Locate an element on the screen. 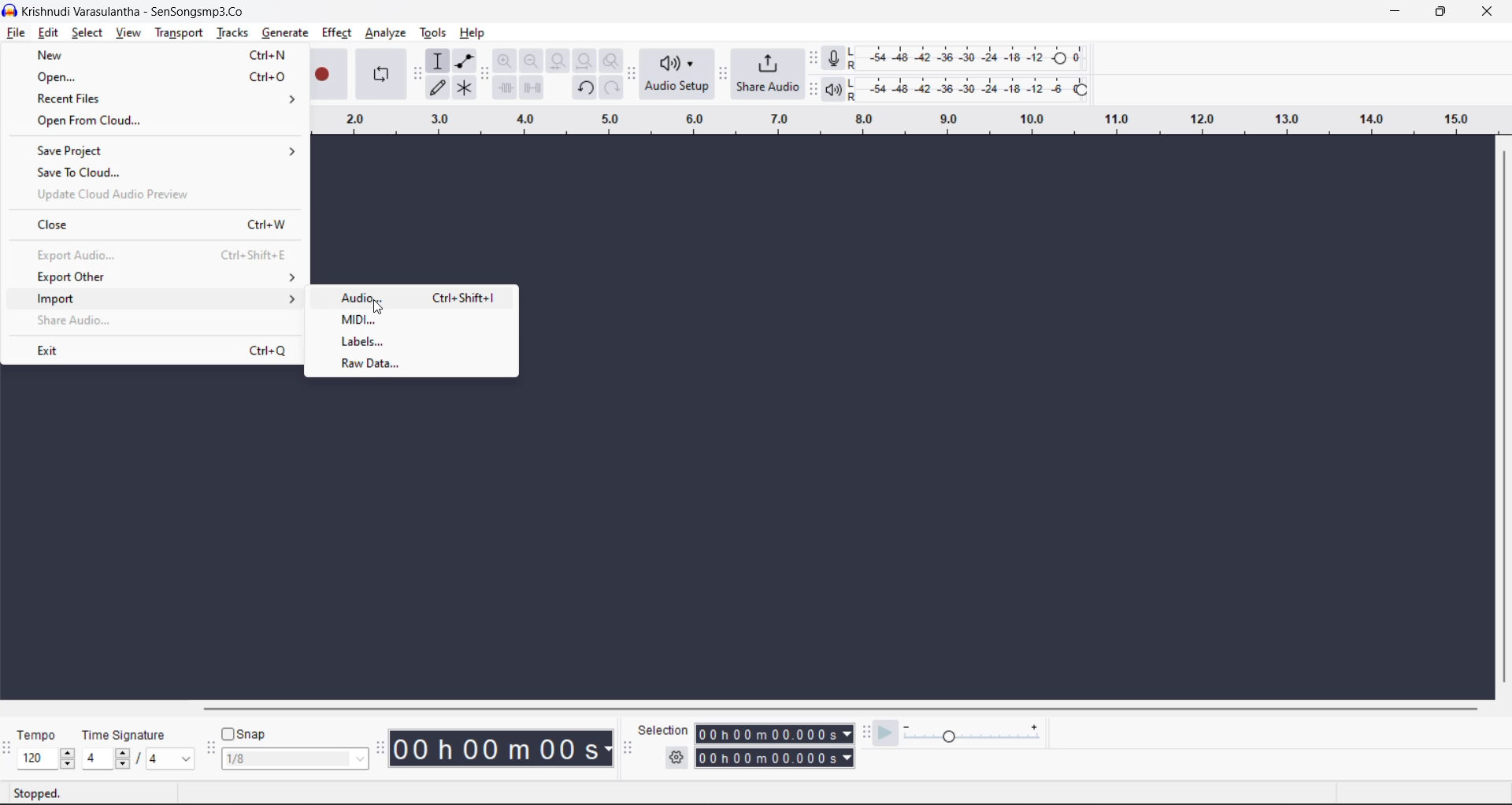  tempo is located at coordinates (41, 736).